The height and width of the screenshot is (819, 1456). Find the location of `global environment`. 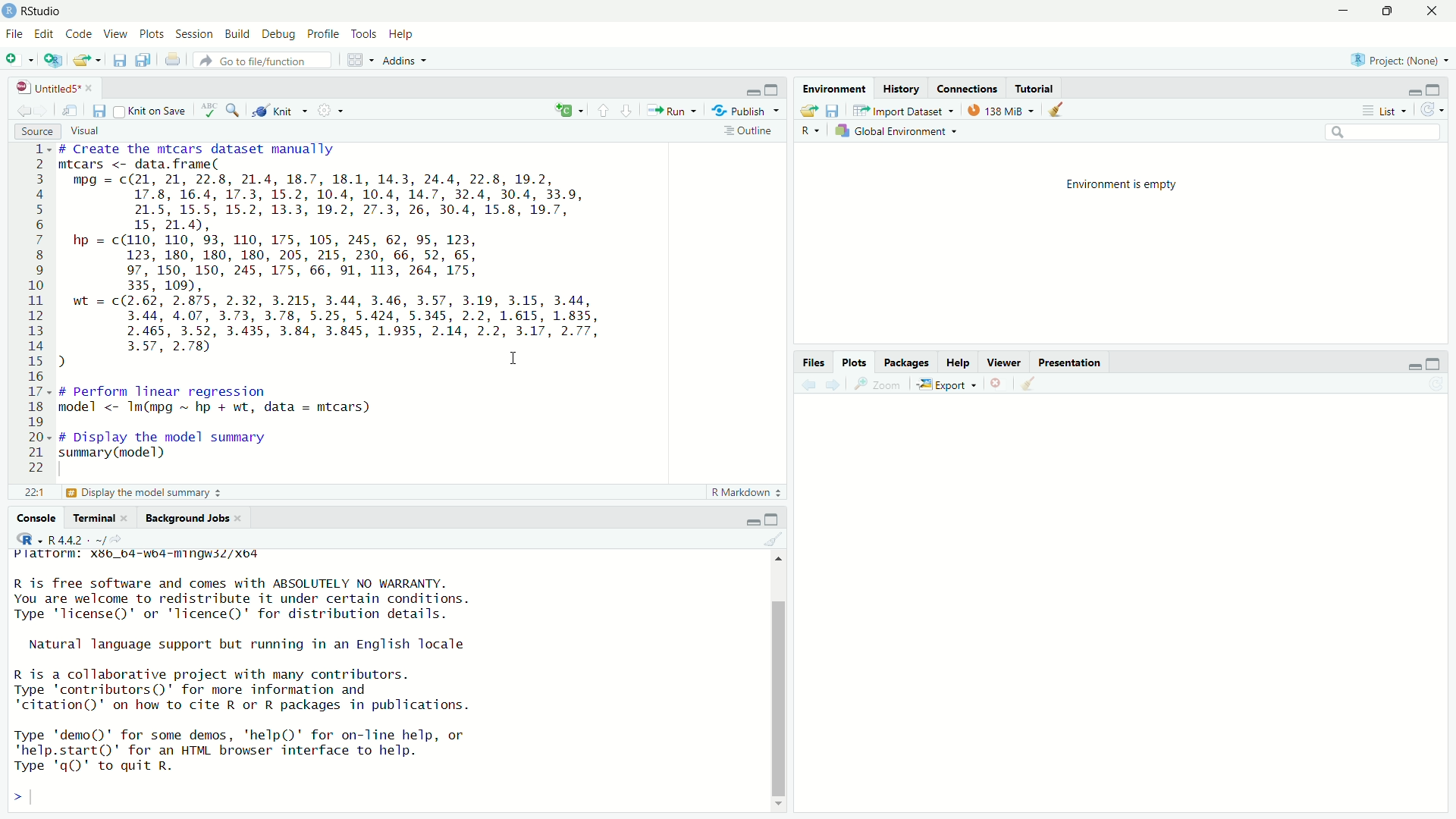

global environment is located at coordinates (895, 131).